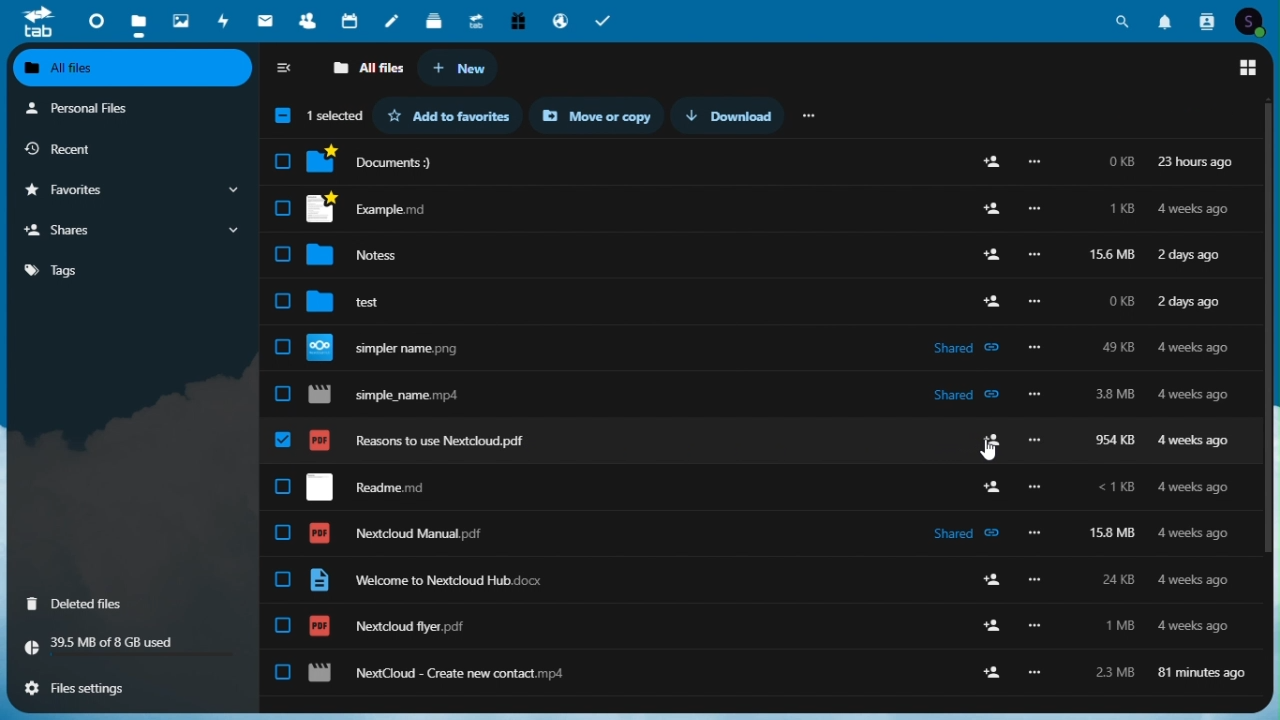 Image resolution: width=1280 pixels, height=720 pixels. Describe the element at coordinates (1248, 69) in the screenshot. I see `switch to grid view` at that location.